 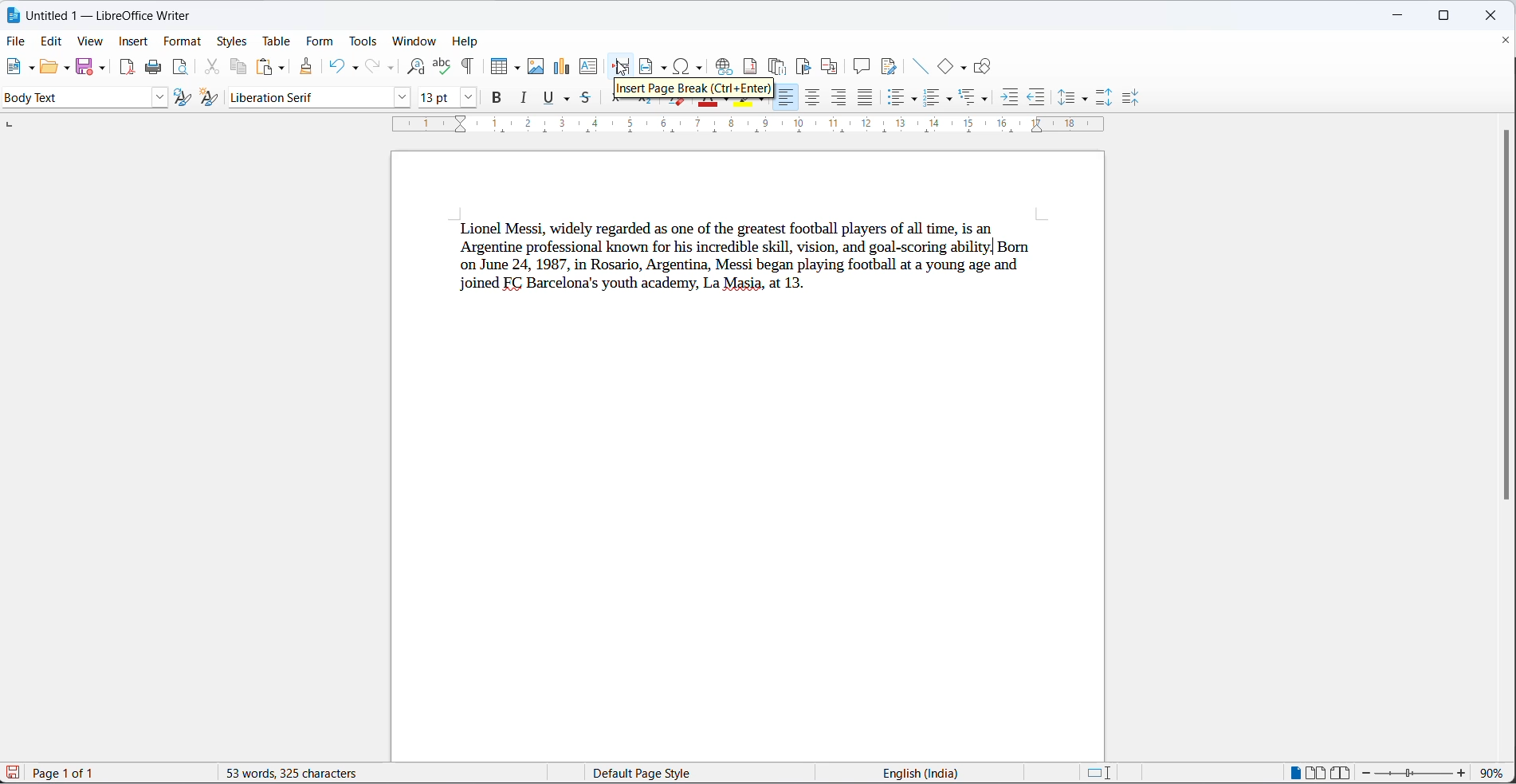 What do you see at coordinates (618, 100) in the screenshot?
I see `superscript` at bounding box center [618, 100].